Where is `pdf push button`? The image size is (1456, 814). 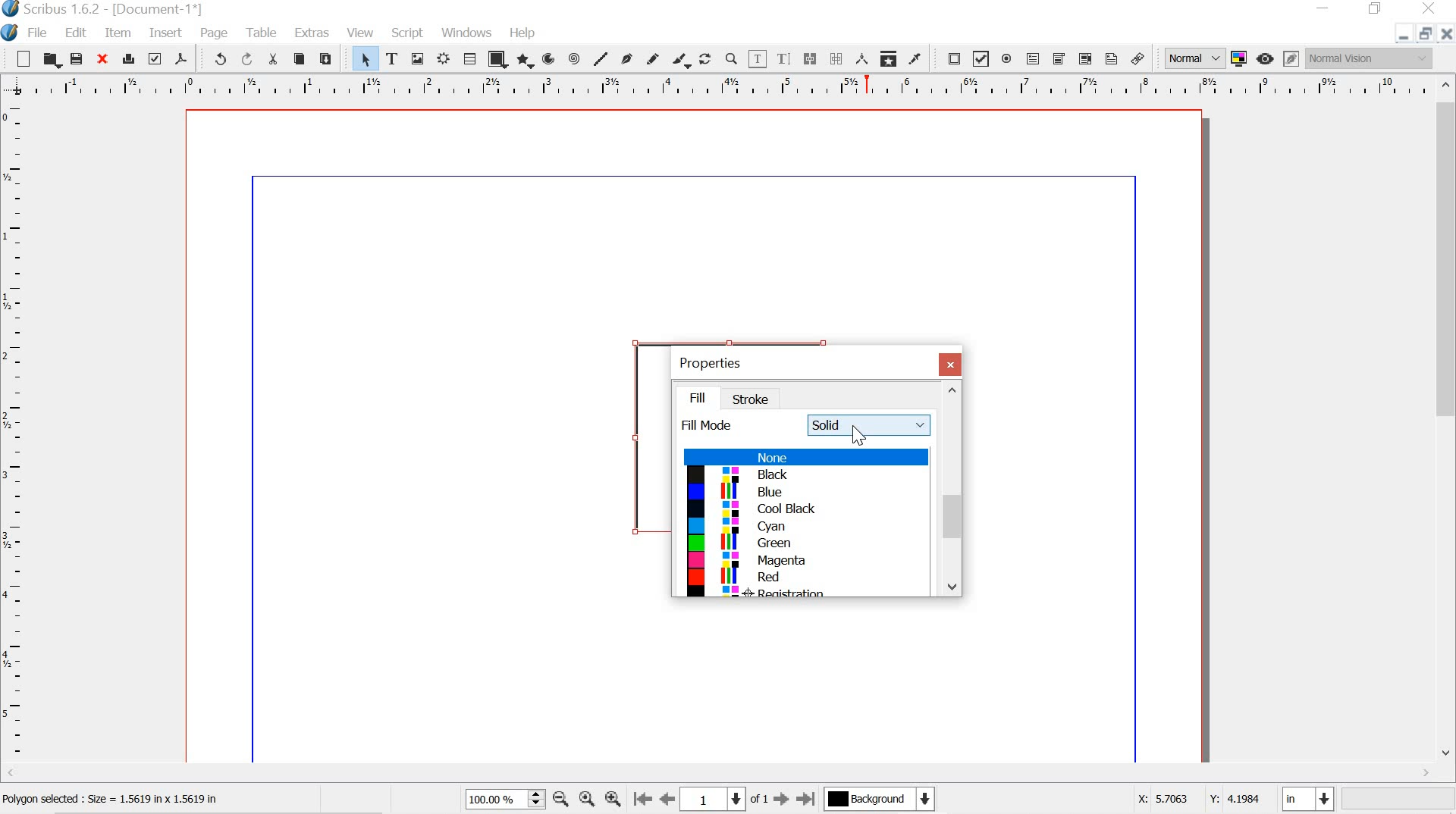
pdf push button is located at coordinates (952, 58).